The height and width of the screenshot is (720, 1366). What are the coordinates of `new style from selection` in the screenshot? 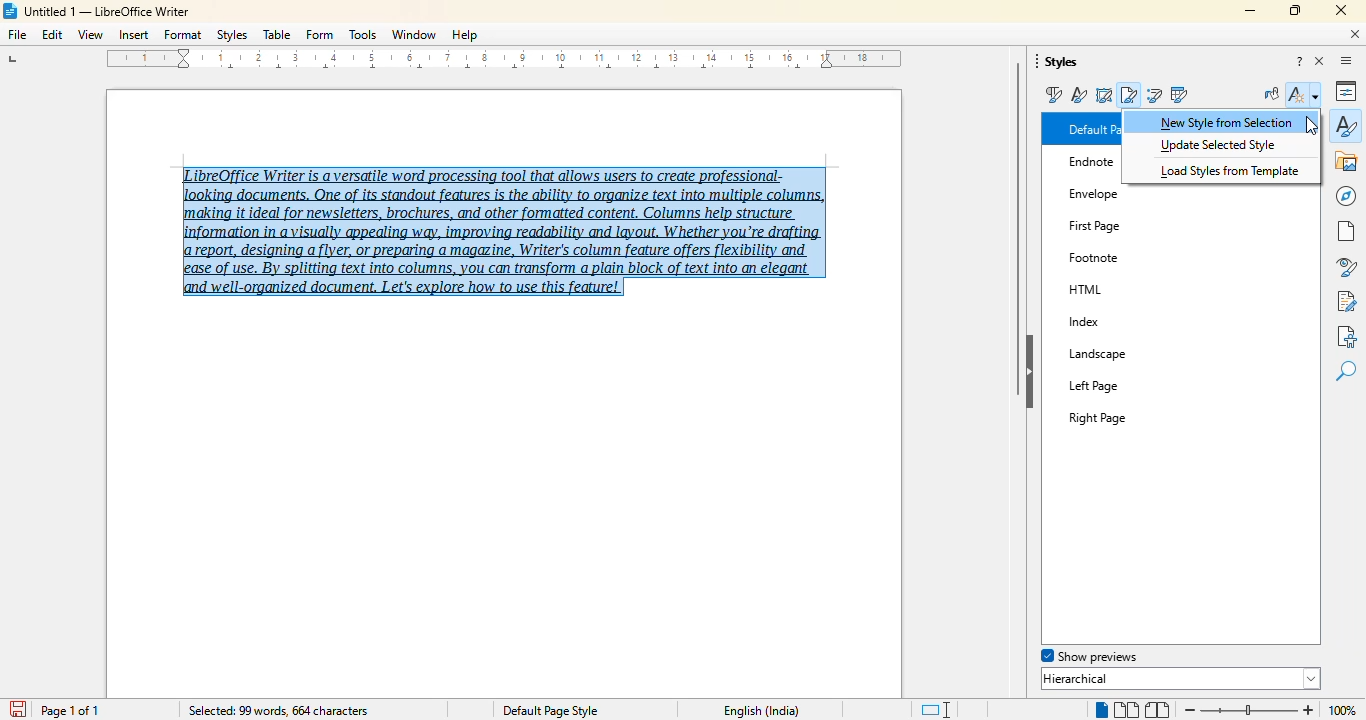 It's located at (1227, 121).